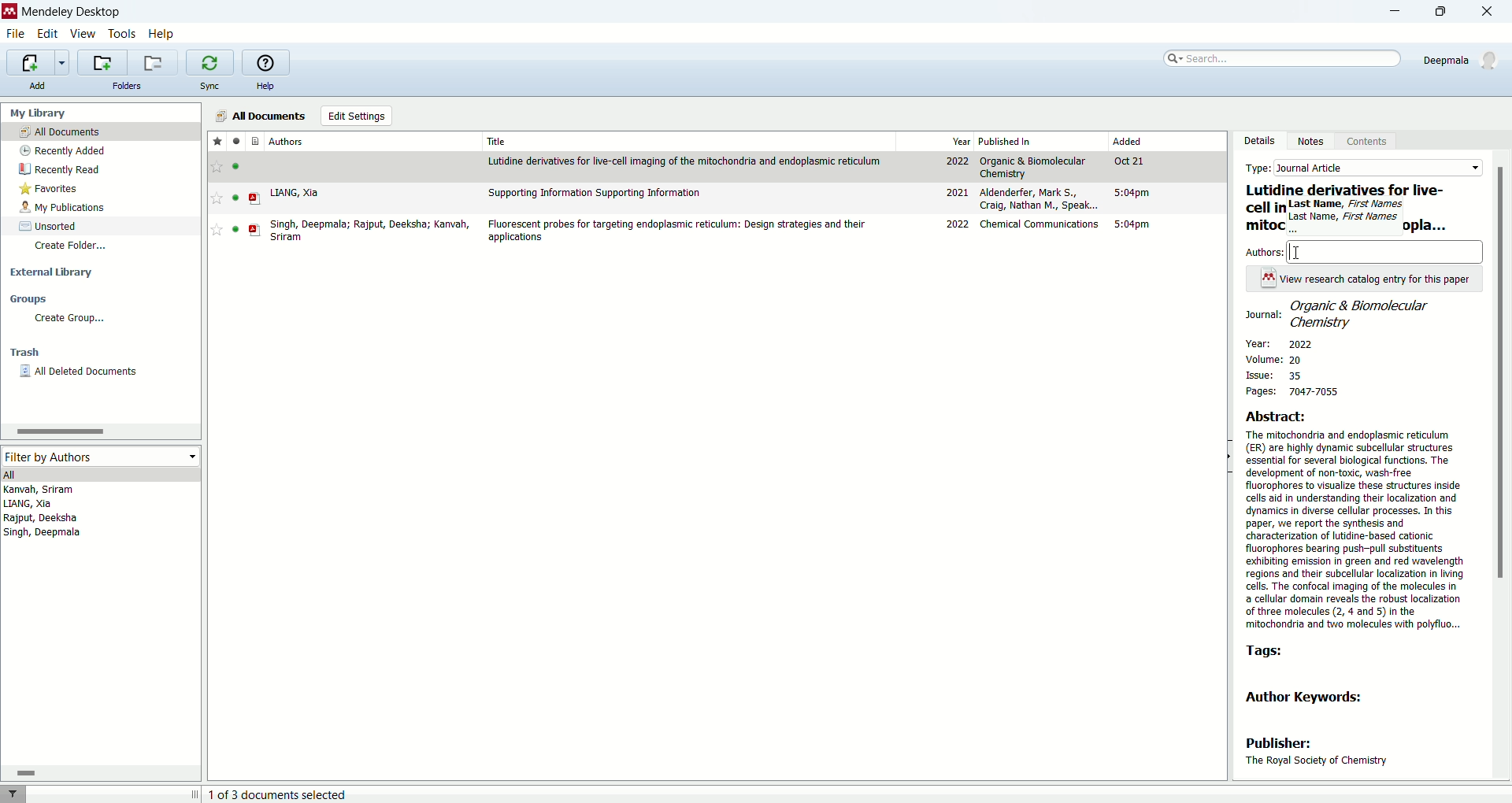  What do you see at coordinates (1268, 277) in the screenshot?
I see `Icon` at bounding box center [1268, 277].